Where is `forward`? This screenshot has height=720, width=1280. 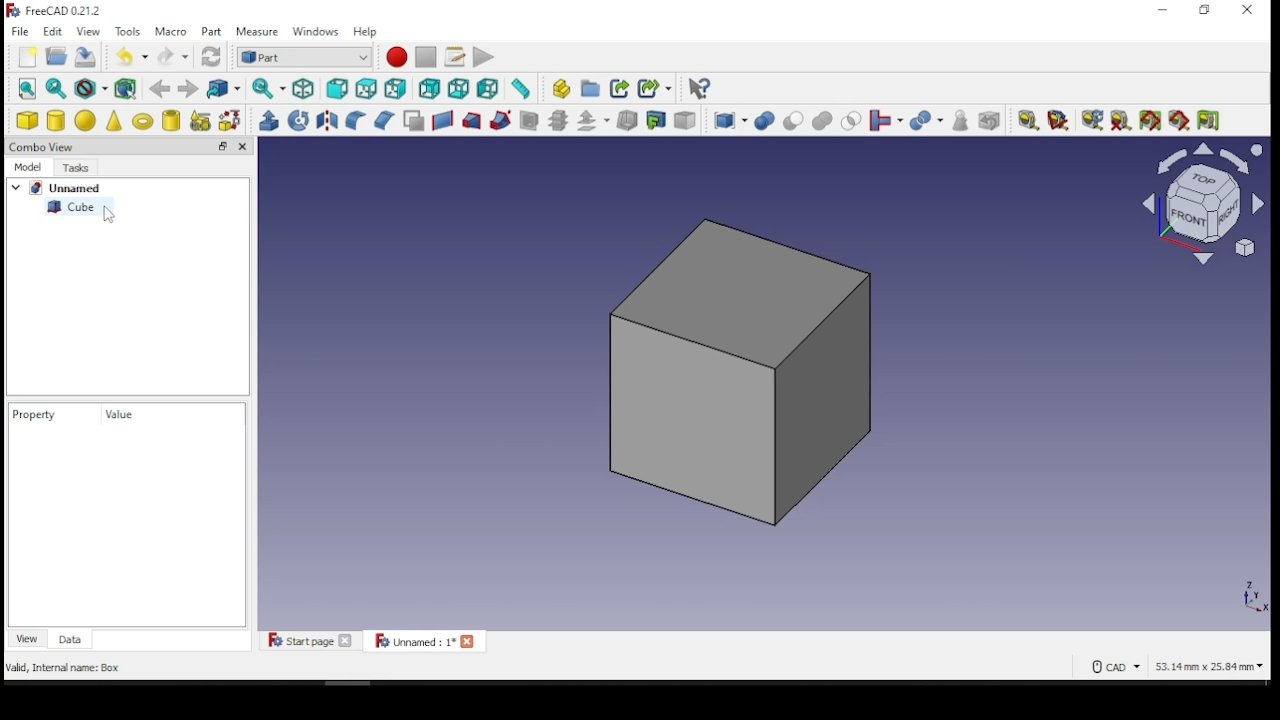 forward is located at coordinates (187, 89).